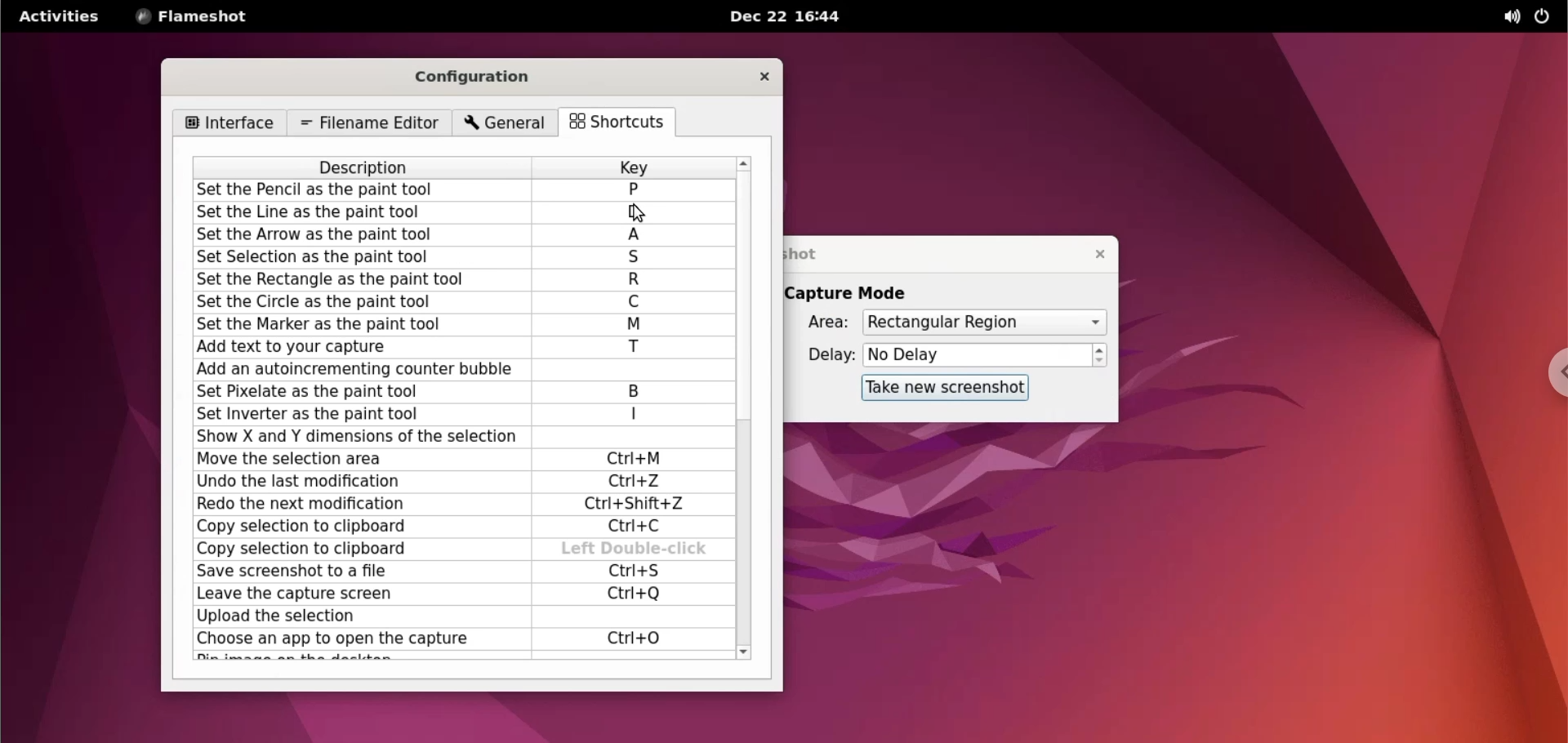 This screenshot has width=1568, height=743. I want to click on set inverter as paint tool, so click(352, 414).